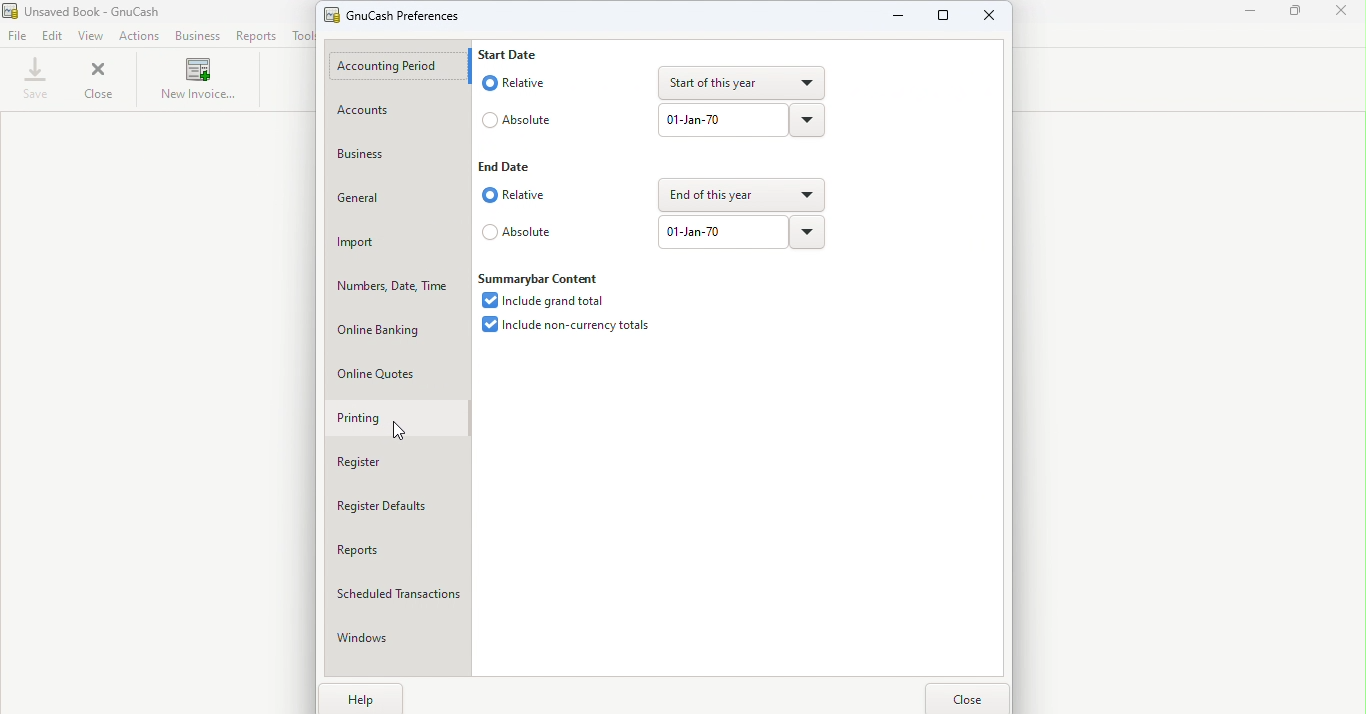 Image resolution: width=1366 pixels, height=714 pixels. What do you see at coordinates (399, 243) in the screenshot?
I see `Import` at bounding box center [399, 243].